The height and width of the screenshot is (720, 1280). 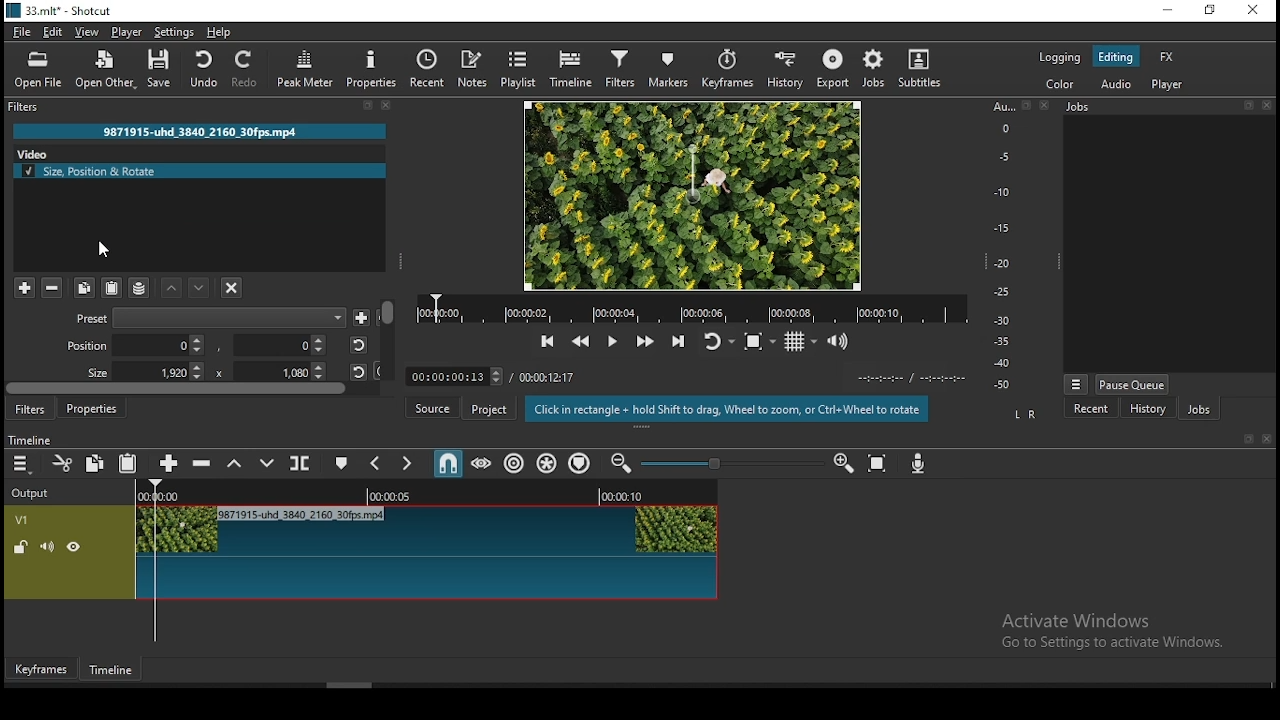 What do you see at coordinates (514, 461) in the screenshot?
I see `ripple` at bounding box center [514, 461].